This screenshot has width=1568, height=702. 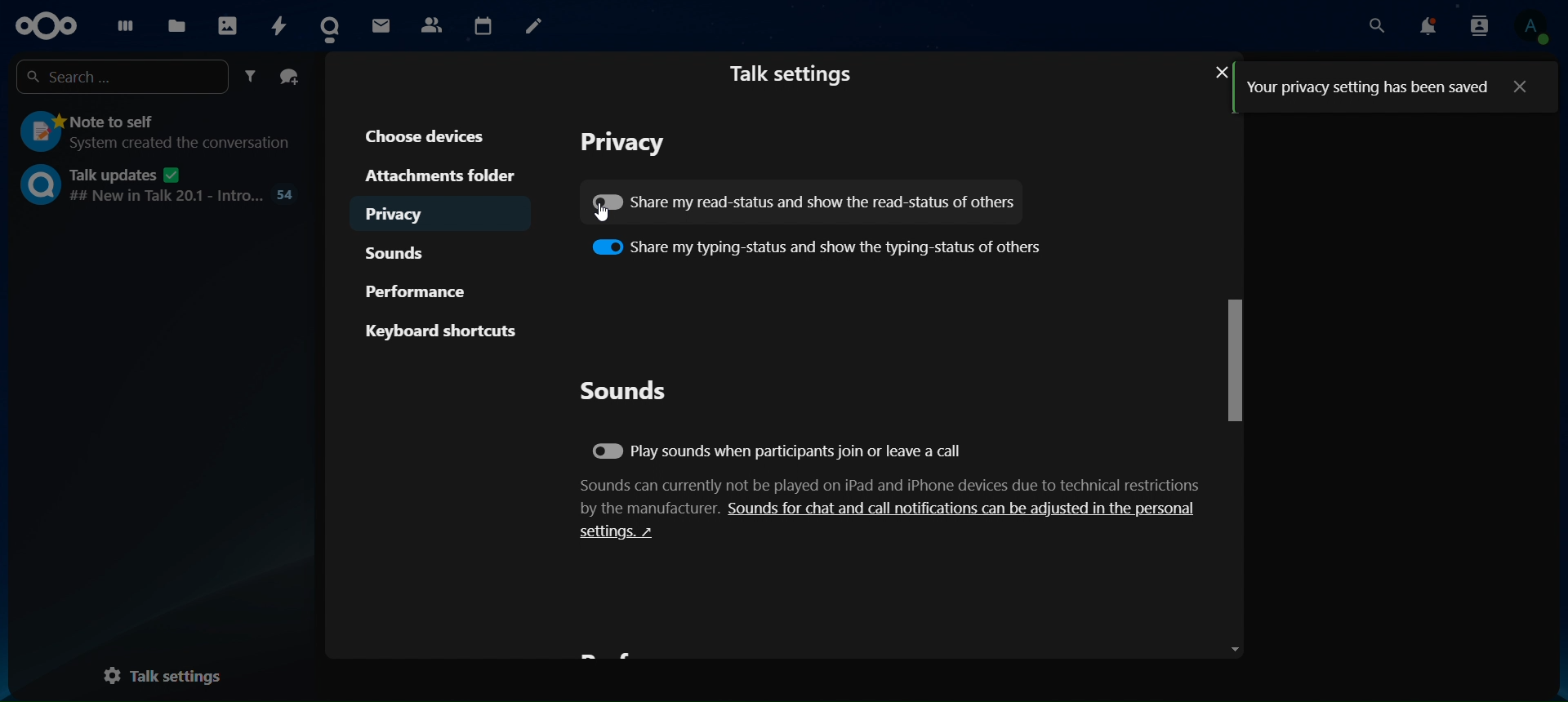 What do you see at coordinates (160, 184) in the screenshot?
I see `talk updates` at bounding box center [160, 184].